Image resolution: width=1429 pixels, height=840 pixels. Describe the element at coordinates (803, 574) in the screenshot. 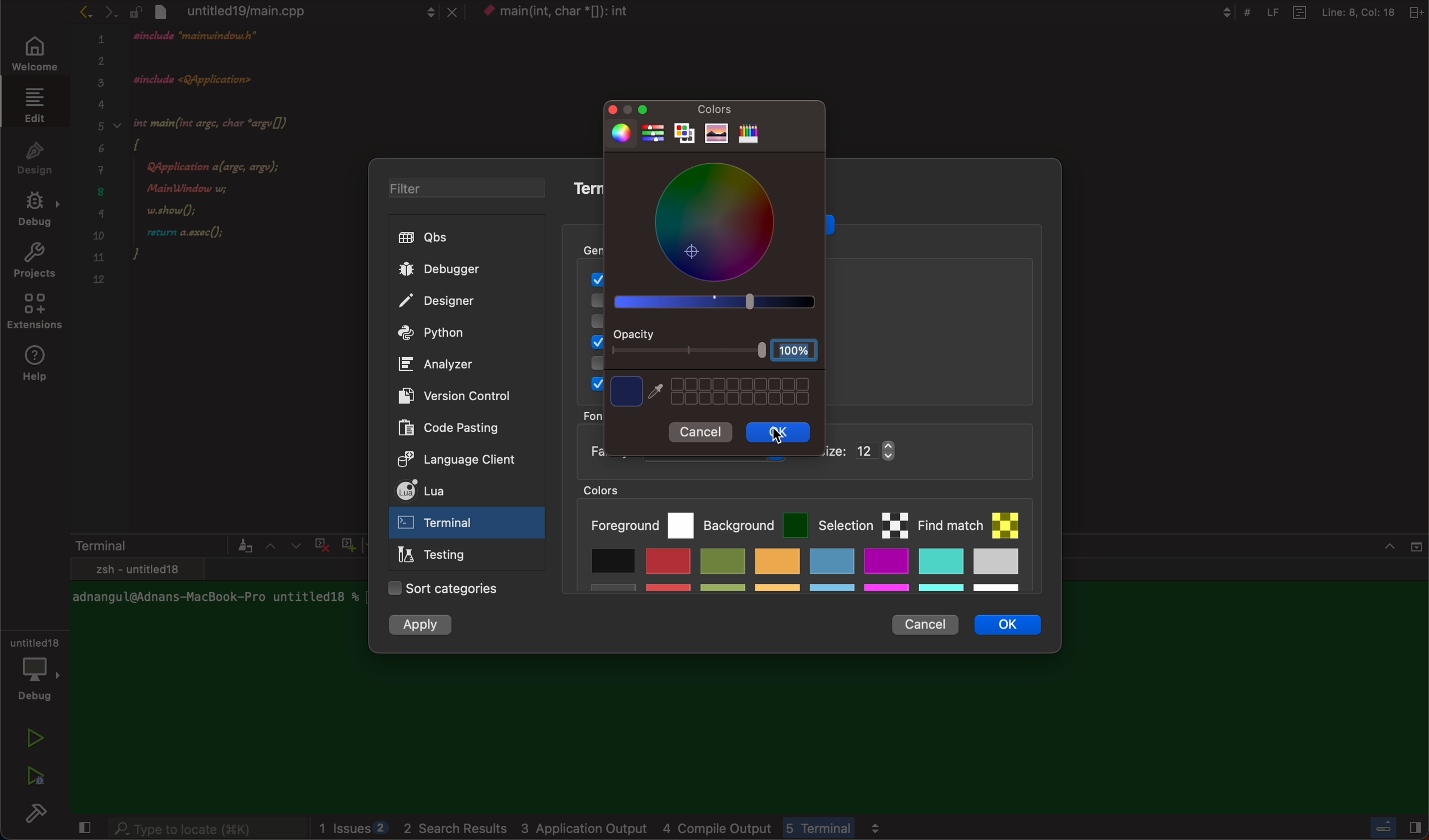

I see `color list` at that location.